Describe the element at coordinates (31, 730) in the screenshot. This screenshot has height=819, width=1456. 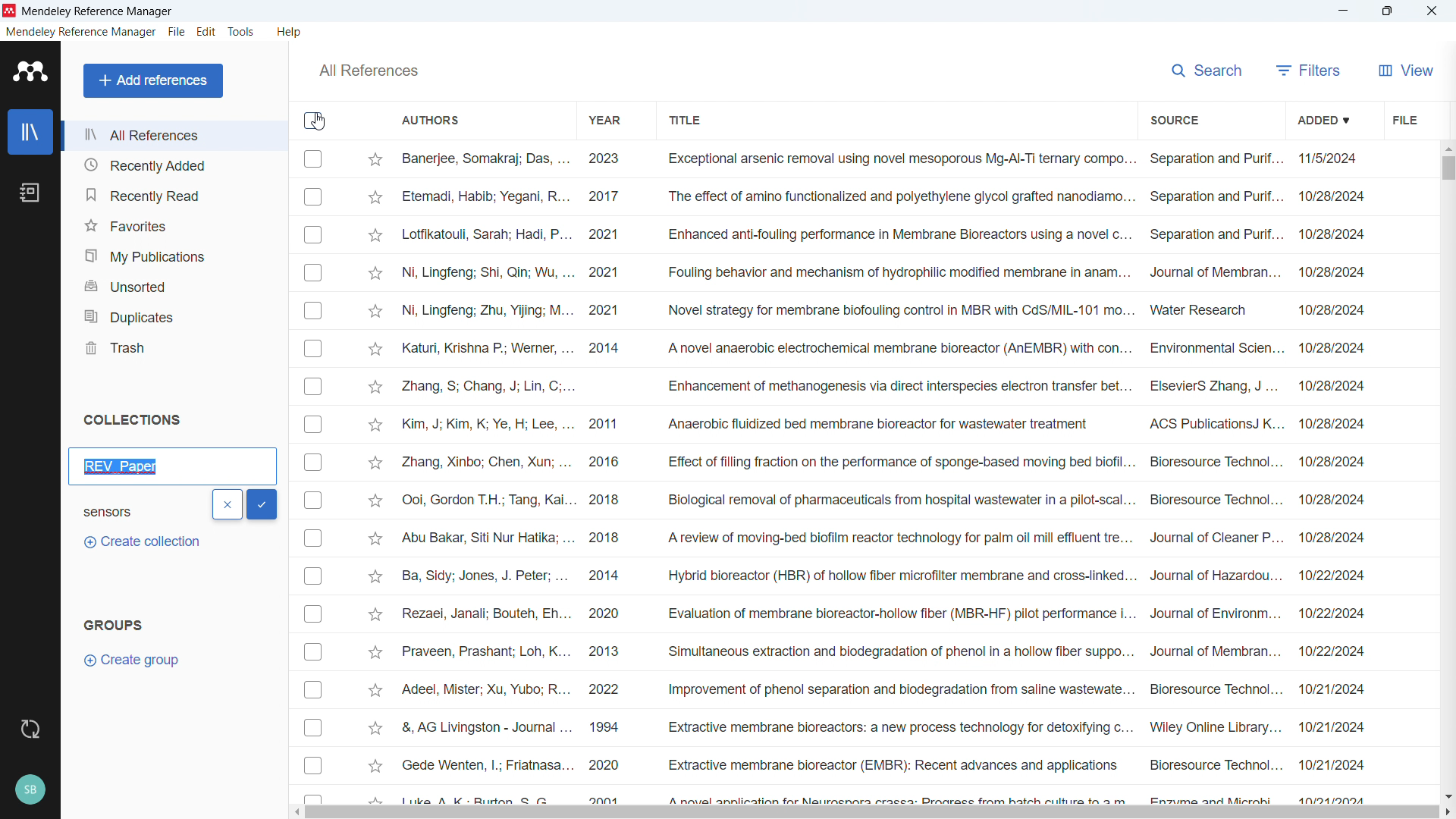
I see `Sync ` at that location.